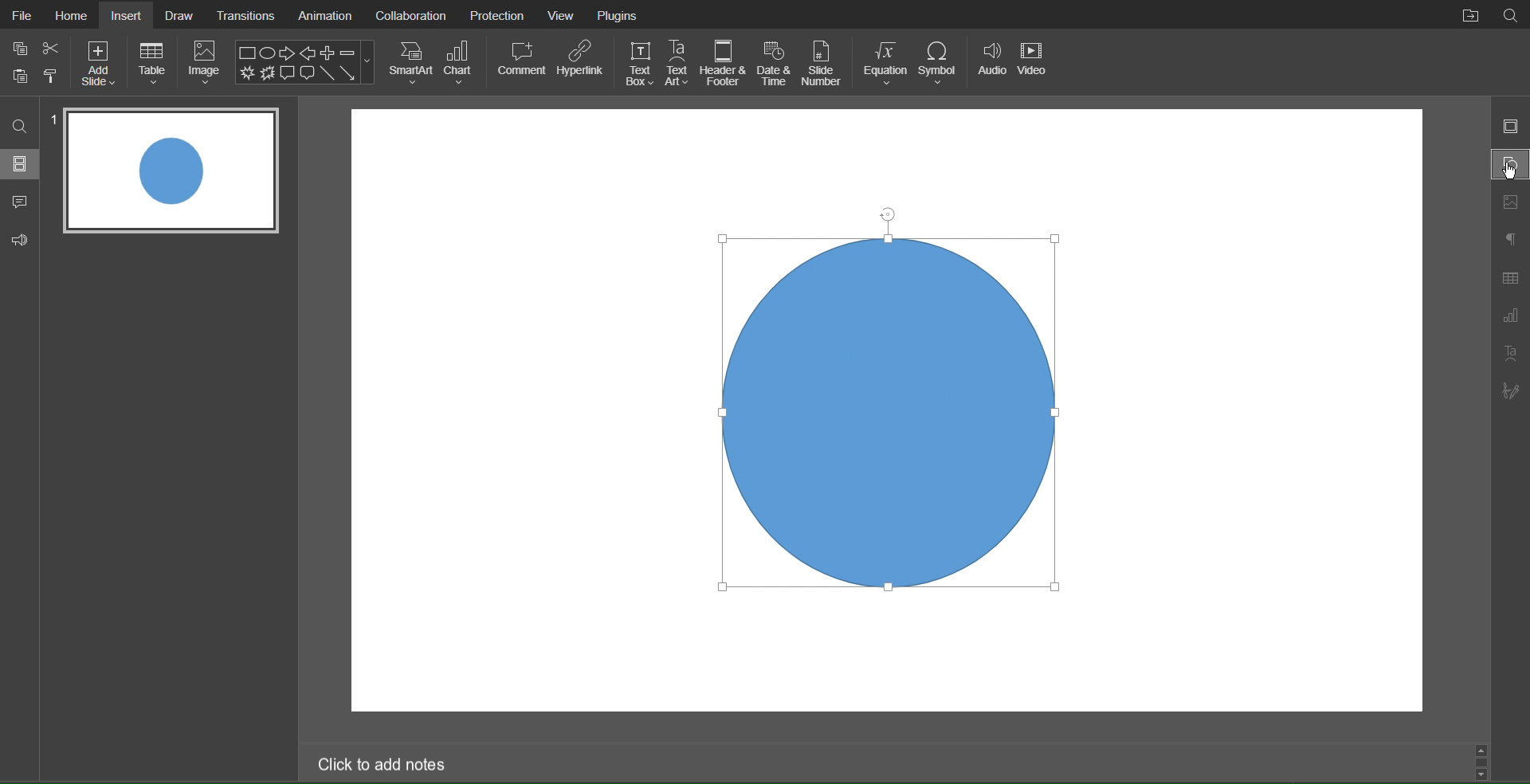  I want to click on format painter, so click(56, 77).